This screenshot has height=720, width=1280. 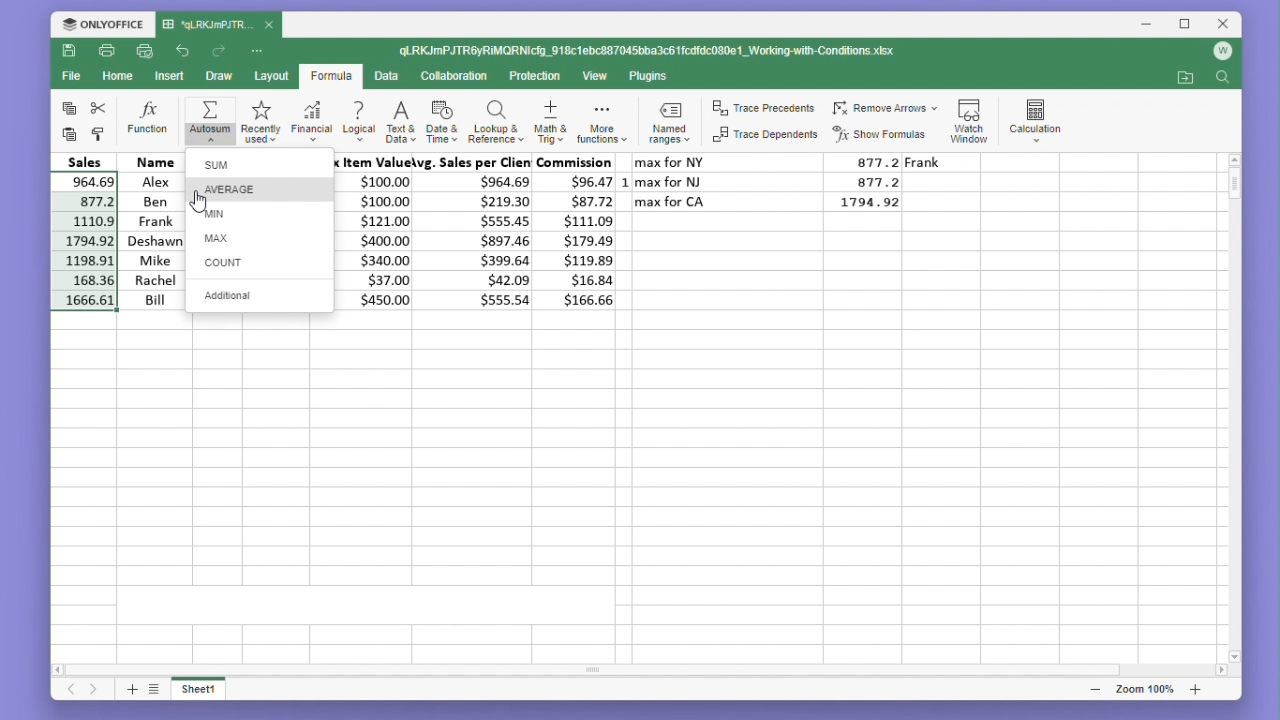 I want to click on Draw, so click(x=218, y=76).